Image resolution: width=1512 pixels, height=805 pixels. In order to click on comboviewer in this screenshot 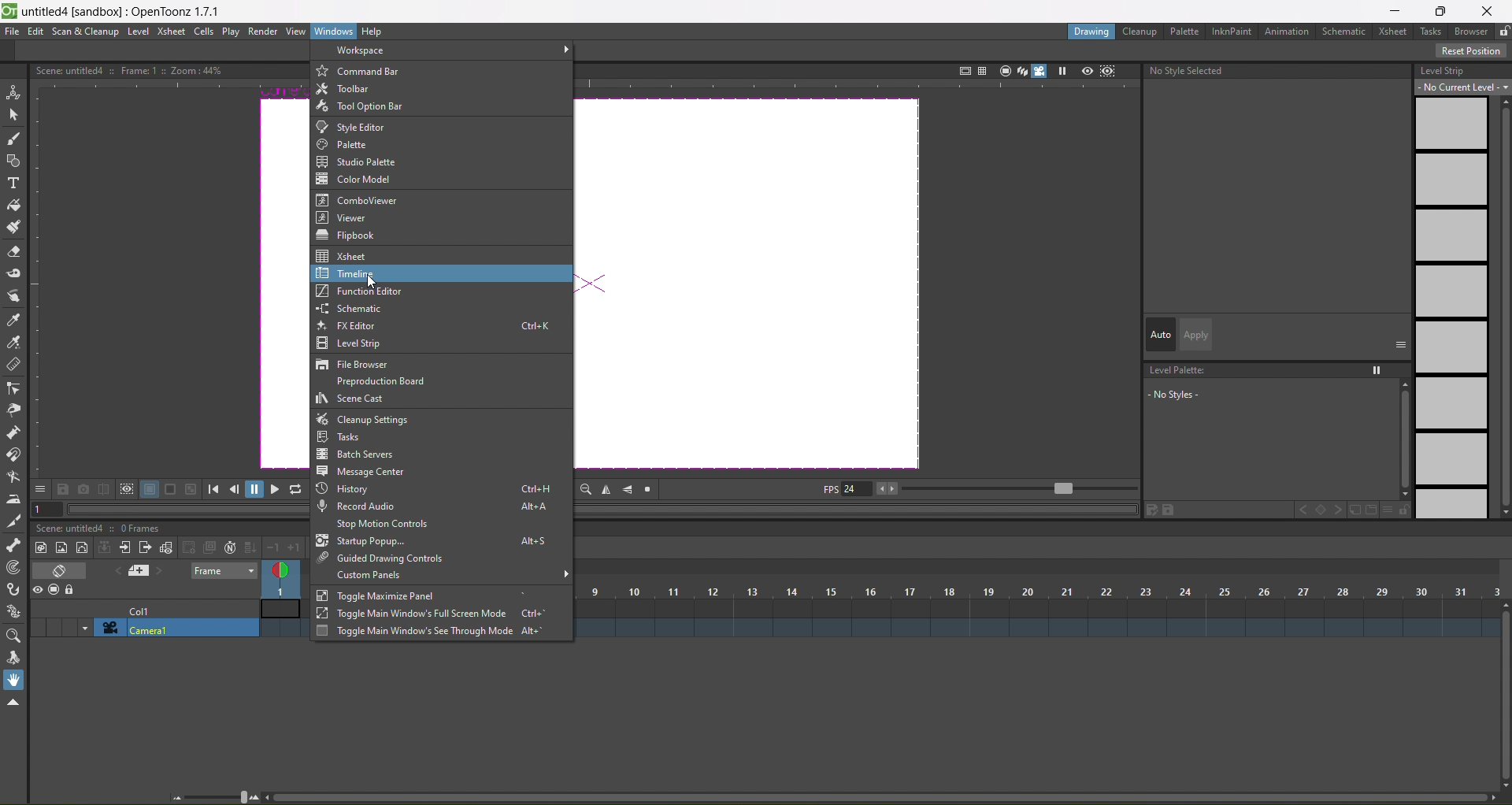, I will do `click(362, 200)`.